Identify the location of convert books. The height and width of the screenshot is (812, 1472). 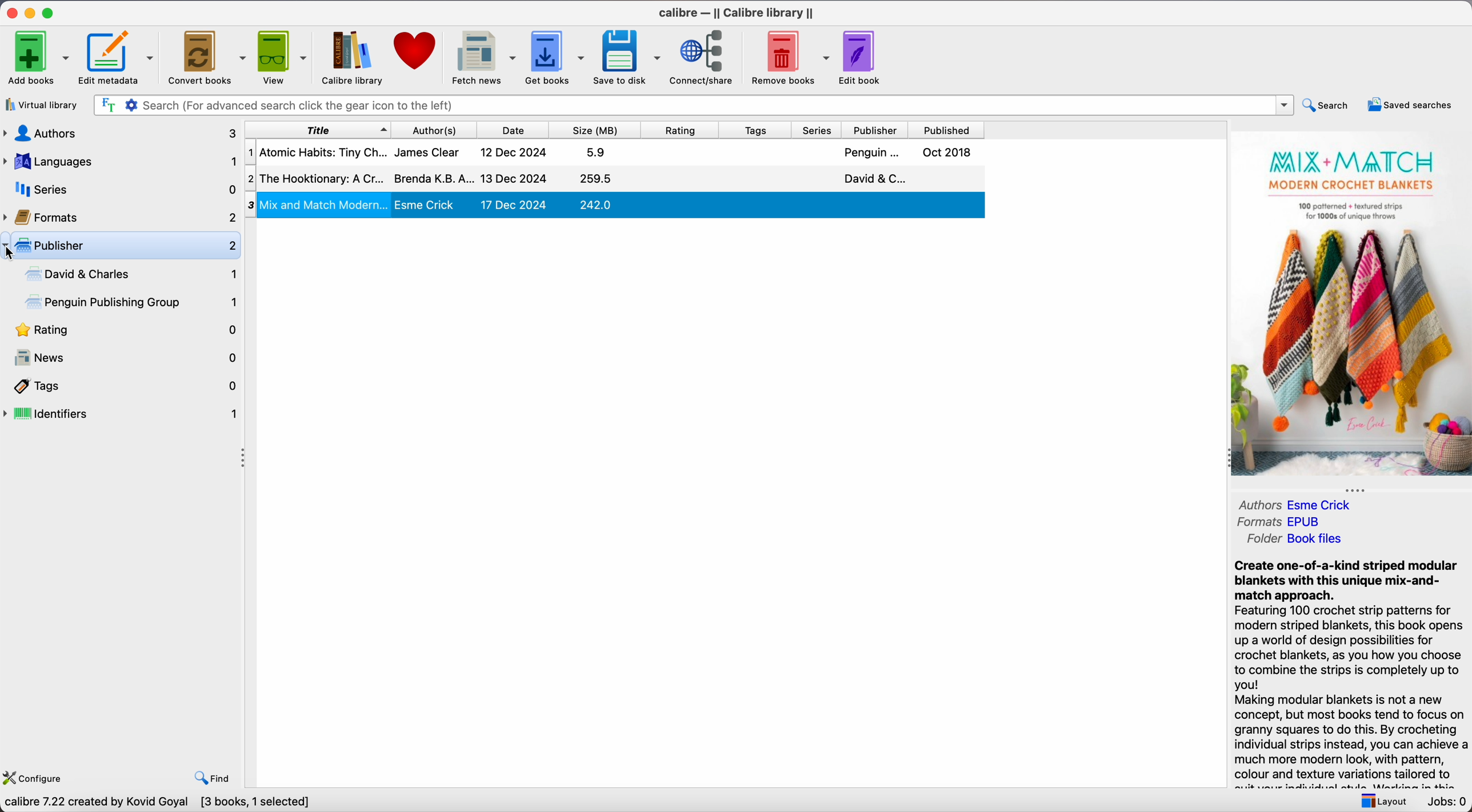
(207, 56).